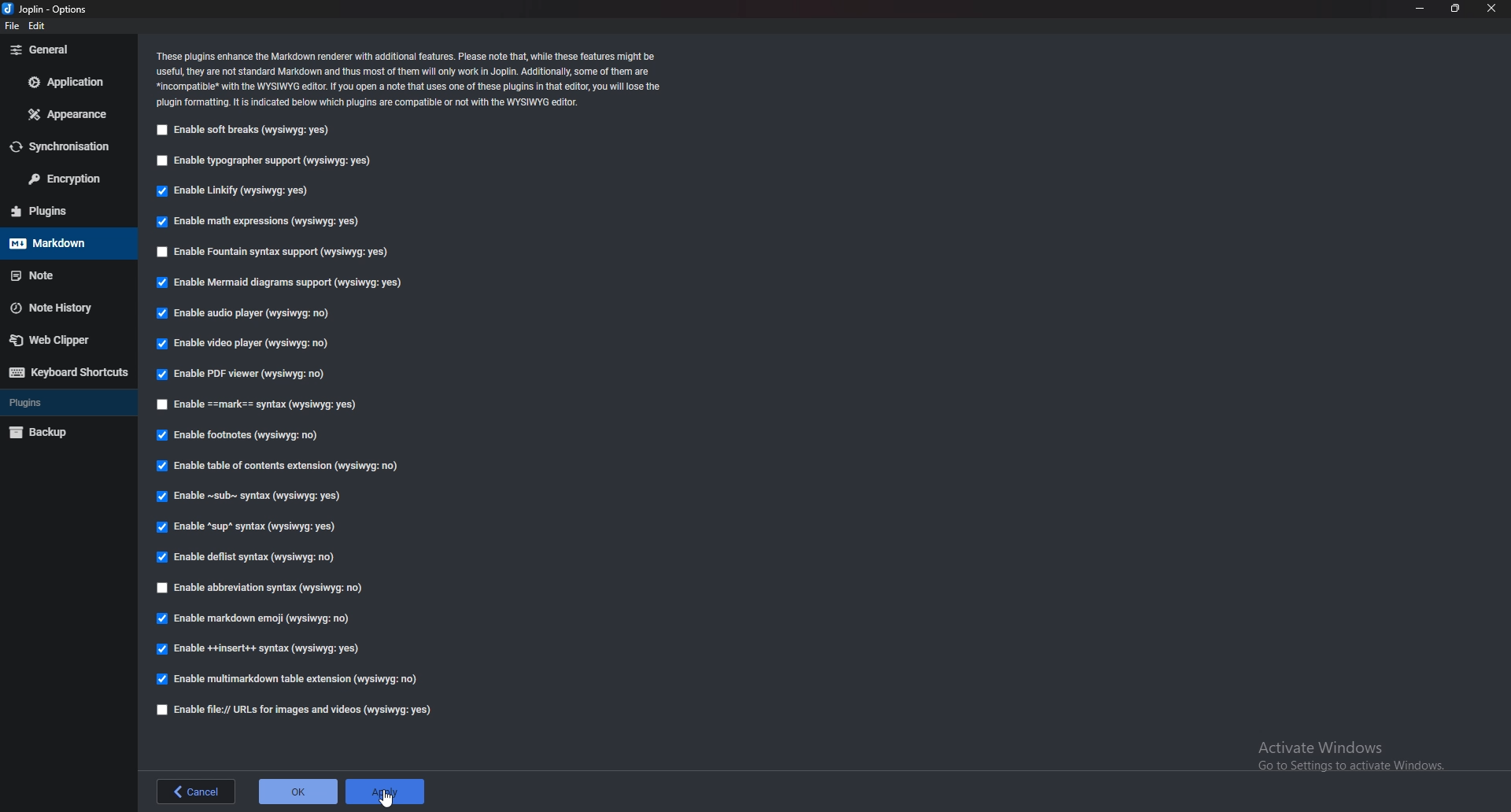 Image resolution: width=1511 pixels, height=812 pixels. Describe the element at coordinates (415, 81) in the screenshot. I see `Info` at that location.